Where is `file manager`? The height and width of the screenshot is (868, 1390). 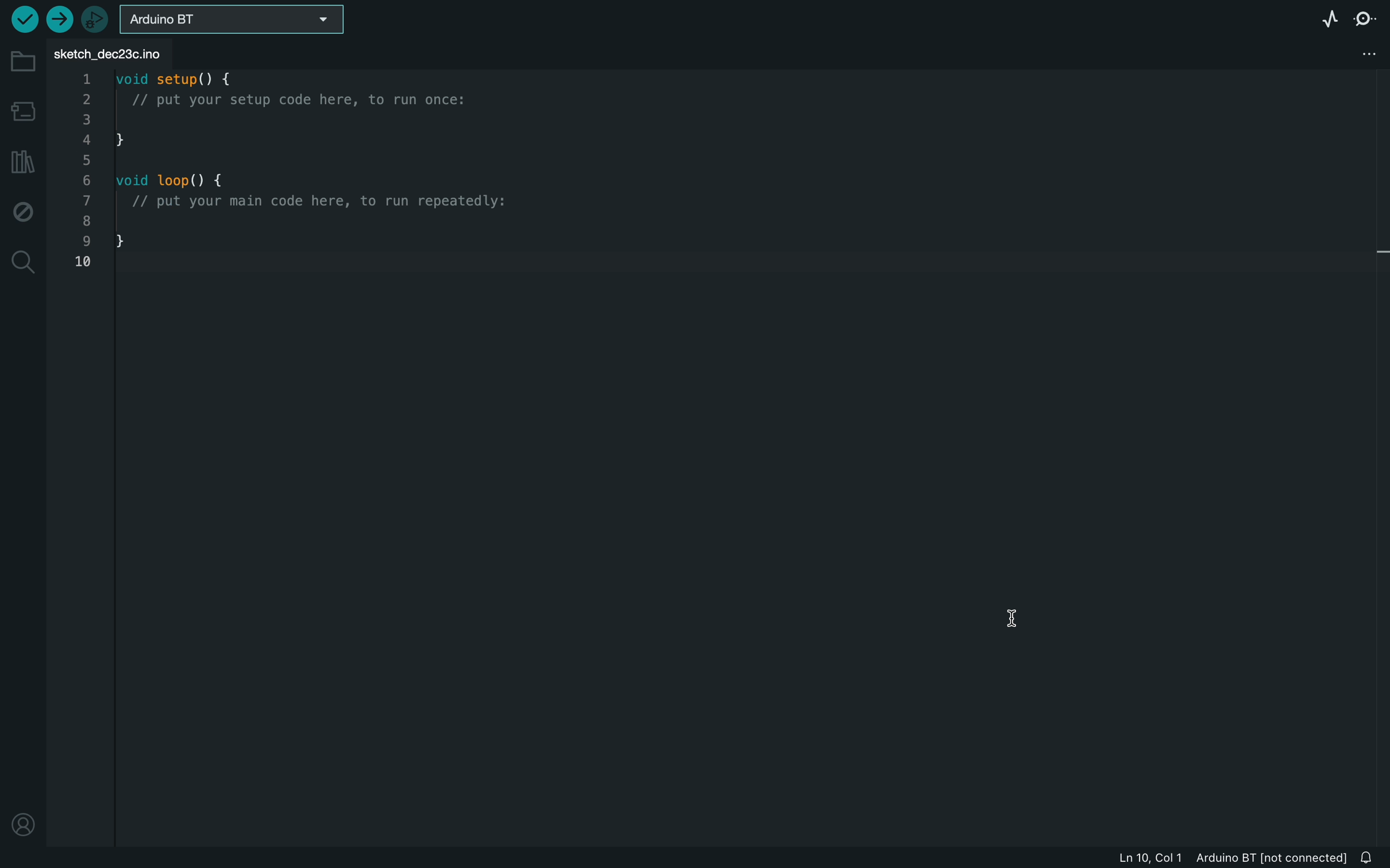
file manager is located at coordinates (1364, 53).